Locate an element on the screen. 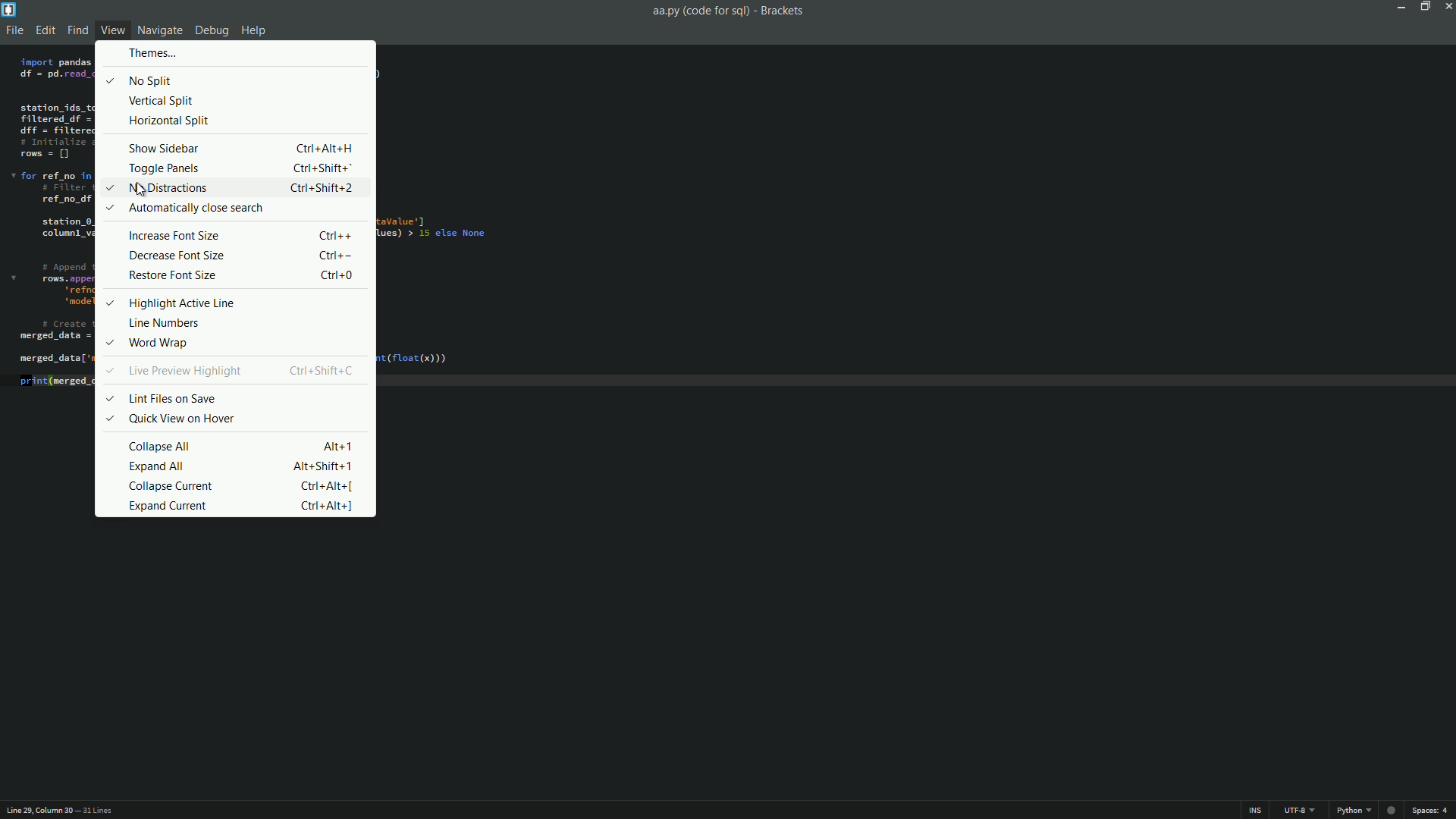 Image resolution: width=1456 pixels, height=819 pixels. file format button is located at coordinates (1354, 809).